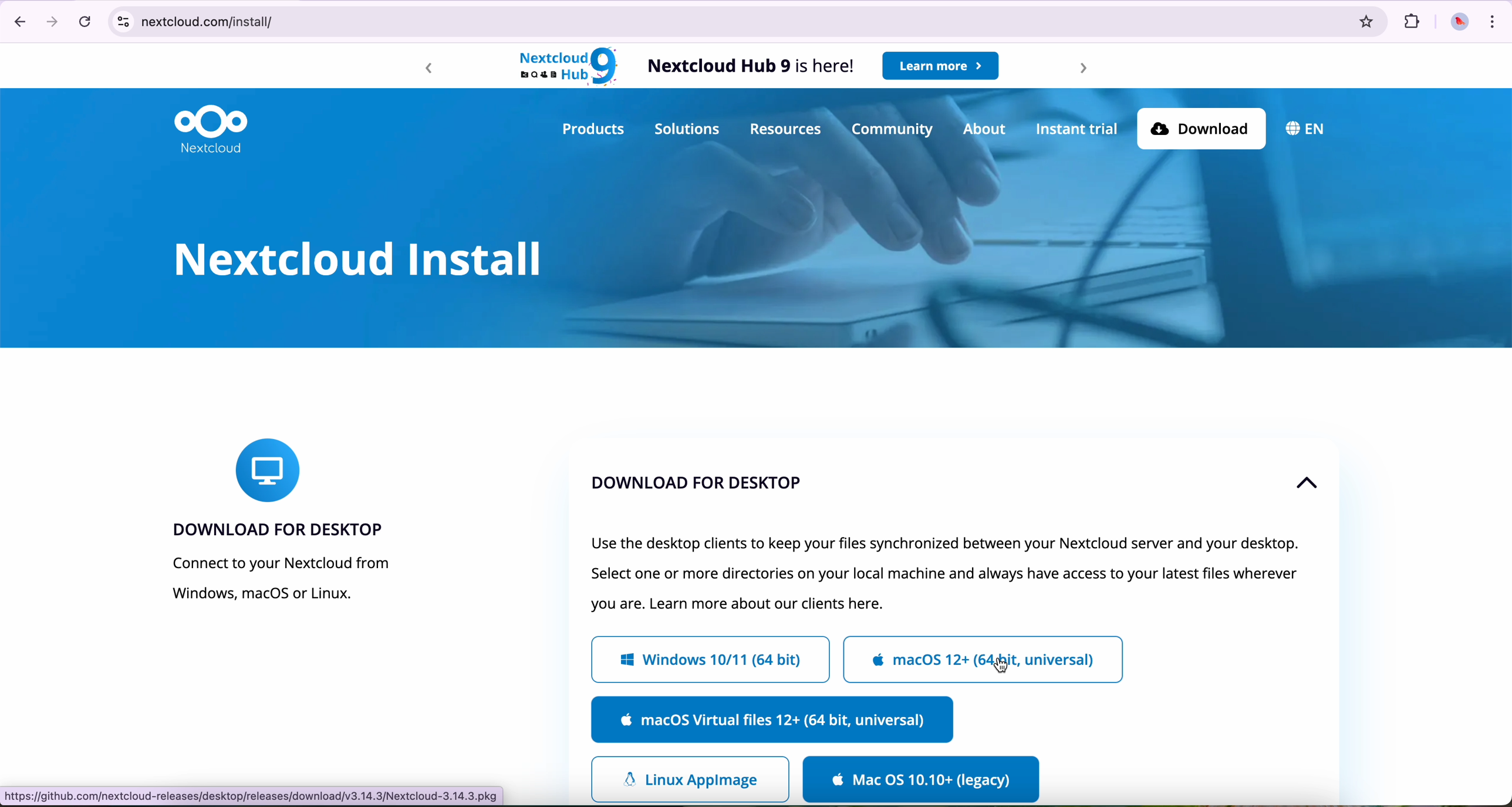  I want to click on Windows 10/11 (64 bit), so click(710, 660).